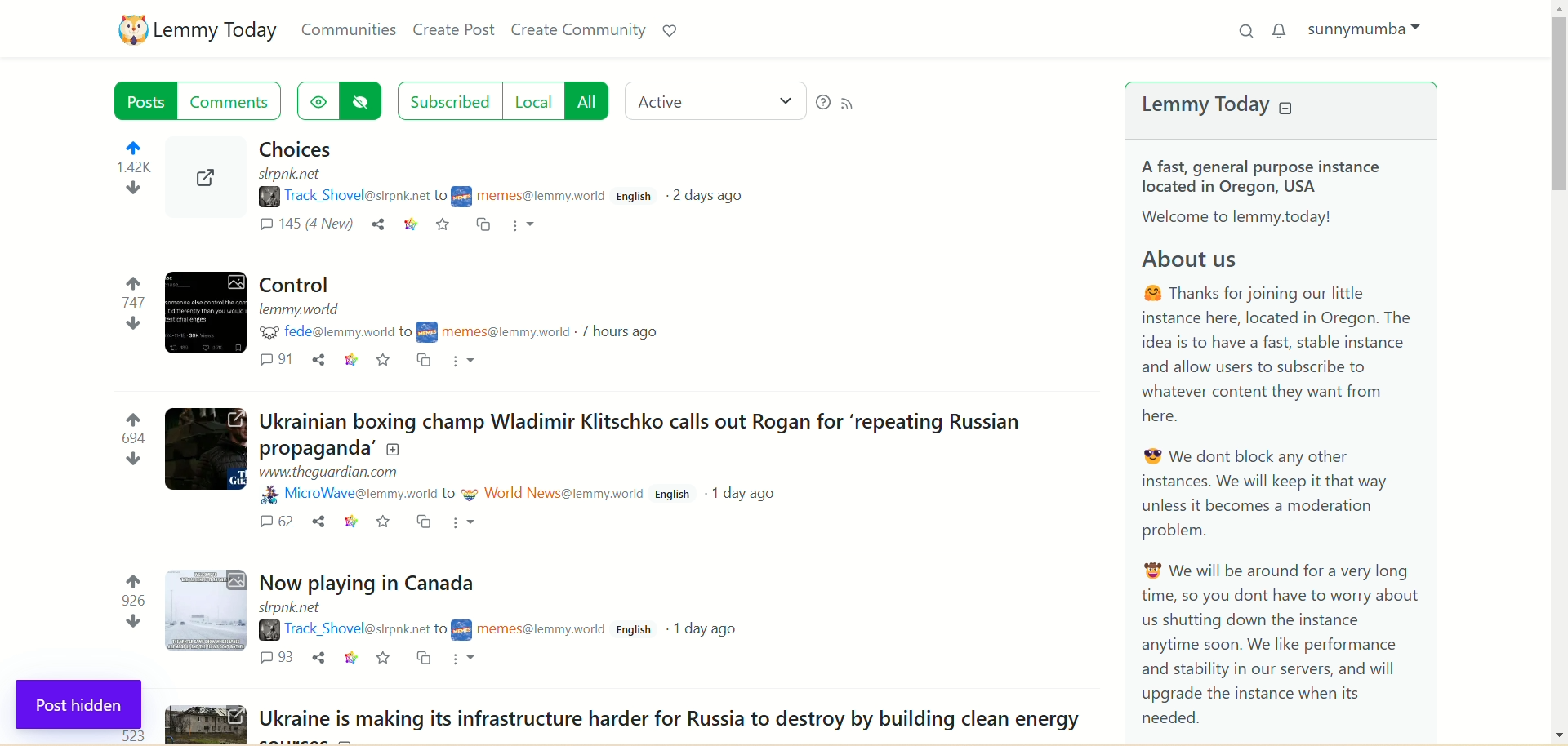 This screenshot has height=746, width=1568. I want to click on show hidden posts, so click(315, 102).